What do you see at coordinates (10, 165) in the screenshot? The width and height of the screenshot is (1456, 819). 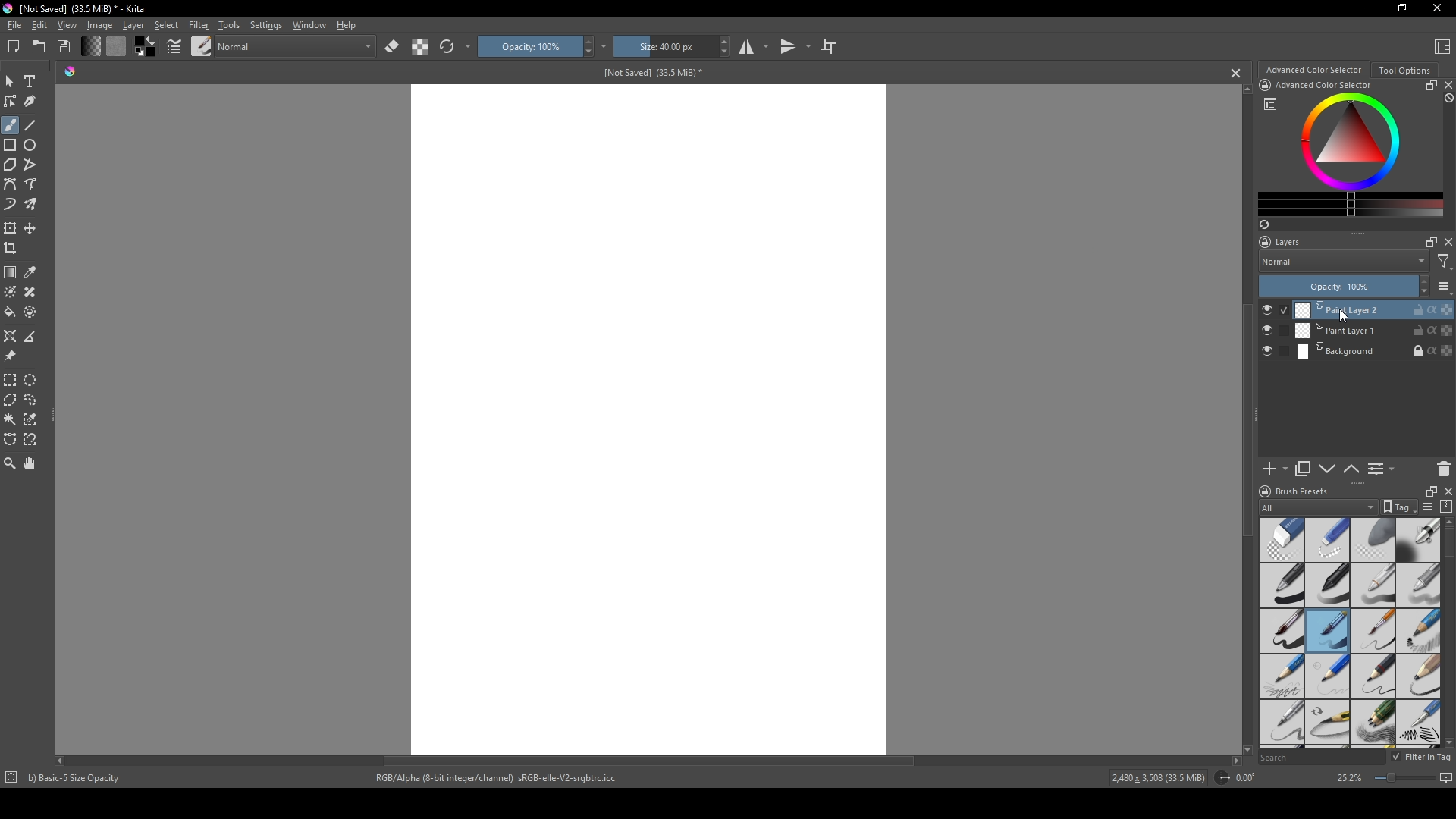 I see `polygon` at bounding box center [10, 165].